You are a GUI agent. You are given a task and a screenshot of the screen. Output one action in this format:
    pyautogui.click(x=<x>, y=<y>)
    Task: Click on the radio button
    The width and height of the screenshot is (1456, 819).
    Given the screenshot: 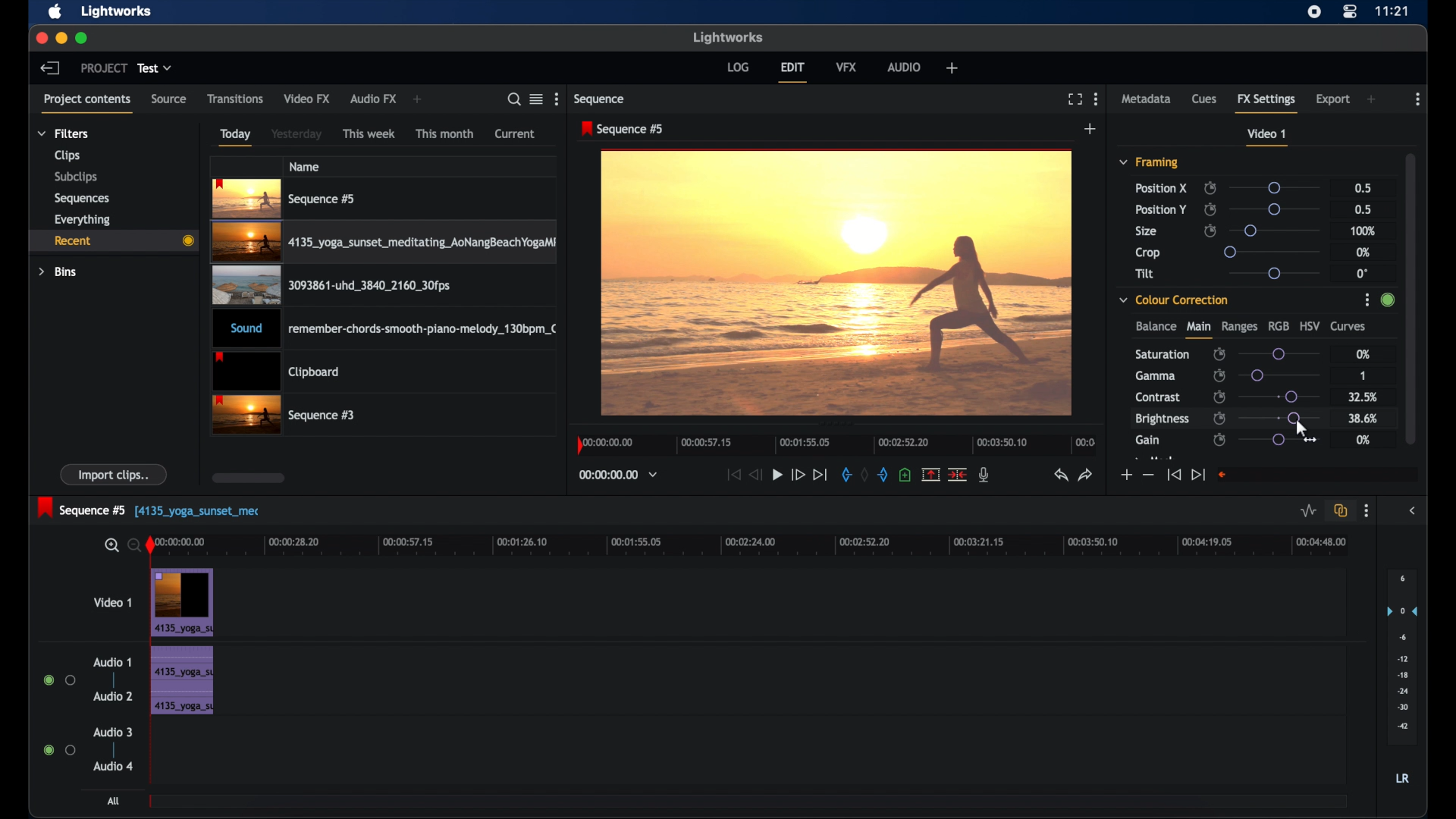 What is the action you would take?
    pyautogui.click(x=59, y=680)
    